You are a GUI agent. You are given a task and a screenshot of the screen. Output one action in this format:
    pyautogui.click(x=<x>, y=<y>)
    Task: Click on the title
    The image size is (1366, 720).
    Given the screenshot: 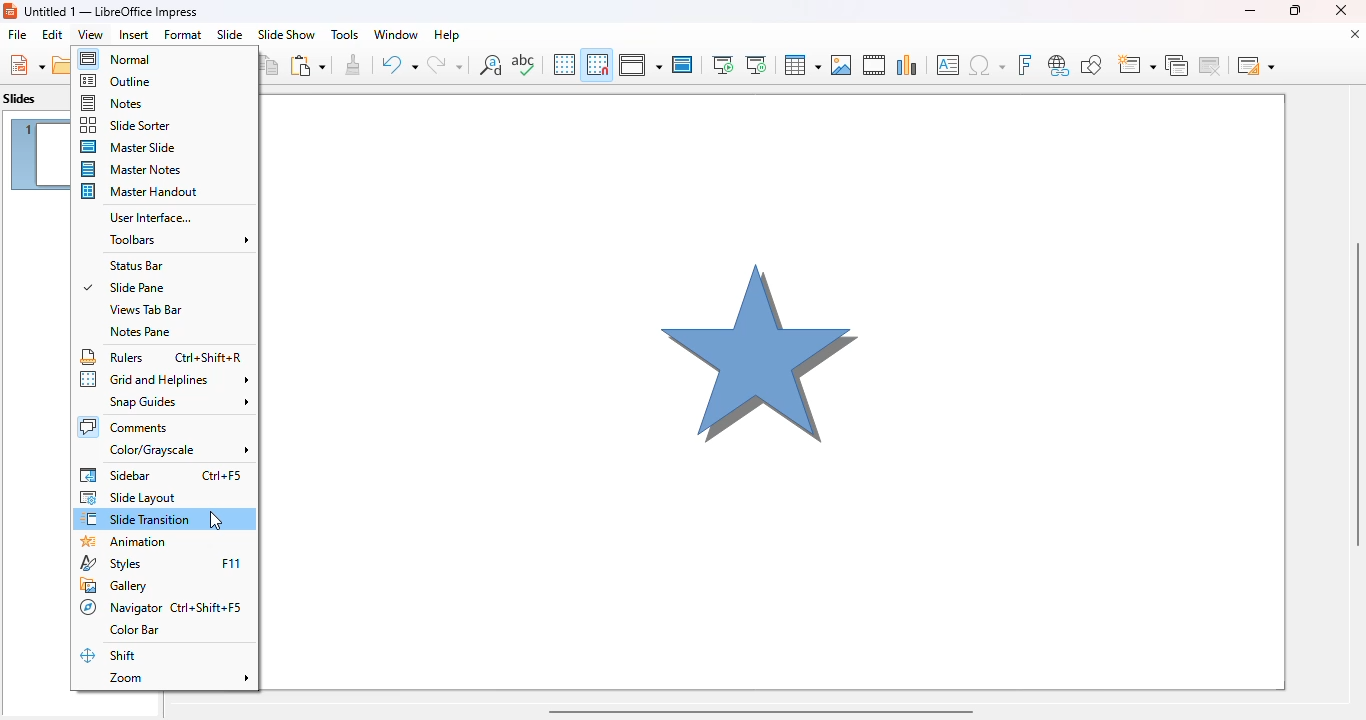 What is the action you would take?
    pyautogui.click(x=550, y=13)
    